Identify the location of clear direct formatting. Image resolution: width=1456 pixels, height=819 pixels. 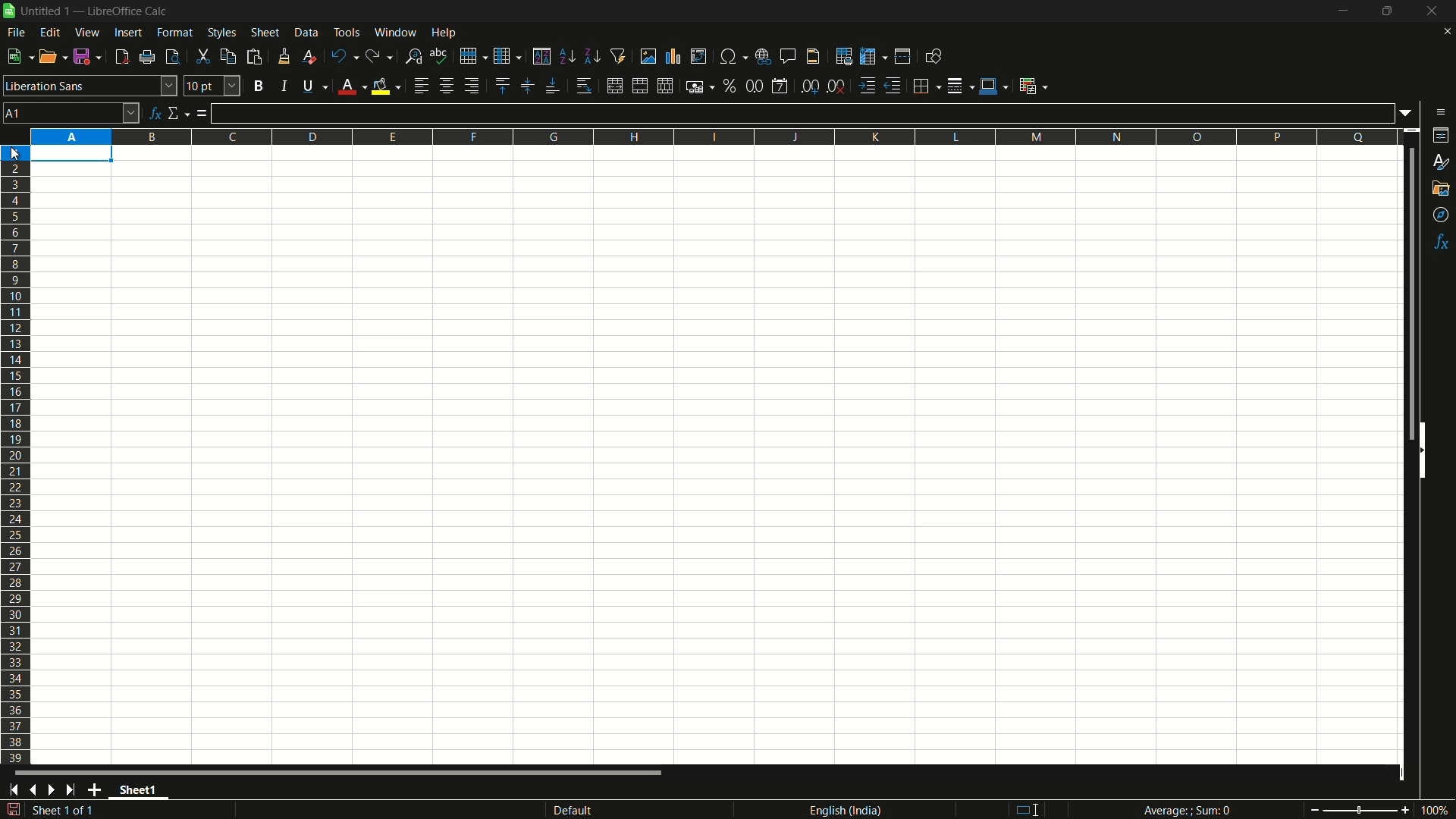
(307, 56).